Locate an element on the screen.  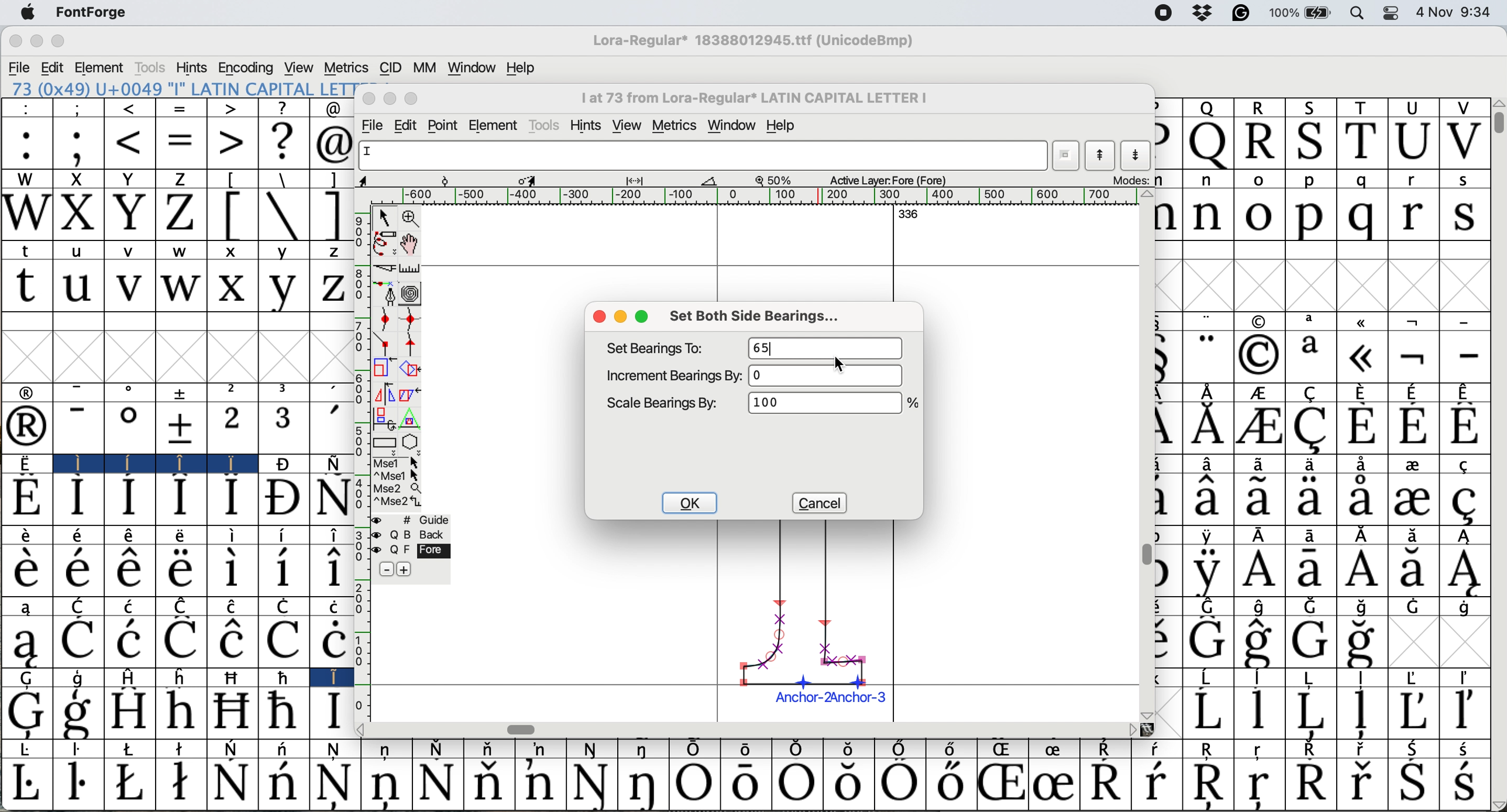
y is located at coordinates (283, 251).